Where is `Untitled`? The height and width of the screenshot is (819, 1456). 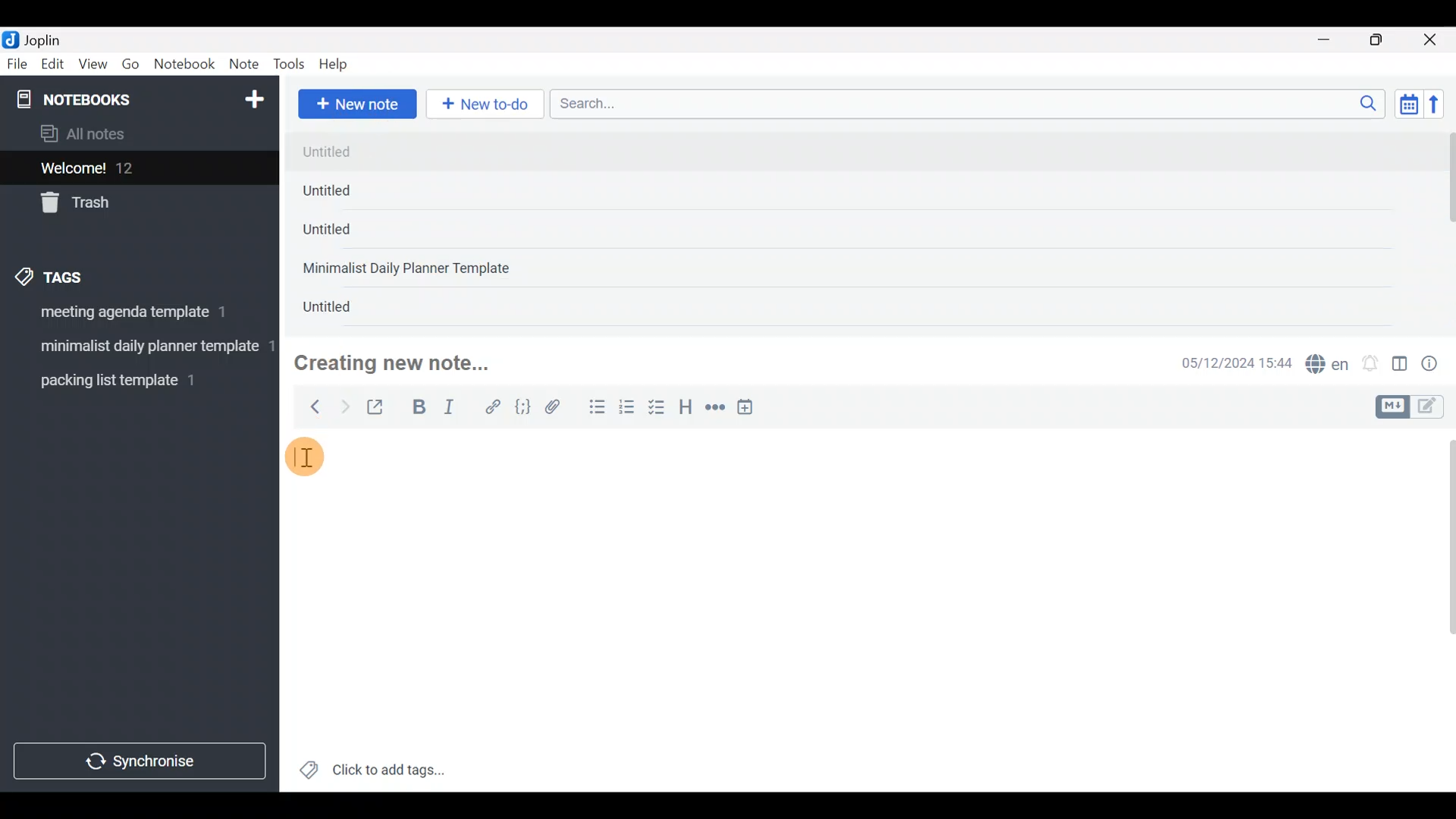 Untitled is located at coordinates (347, 234).